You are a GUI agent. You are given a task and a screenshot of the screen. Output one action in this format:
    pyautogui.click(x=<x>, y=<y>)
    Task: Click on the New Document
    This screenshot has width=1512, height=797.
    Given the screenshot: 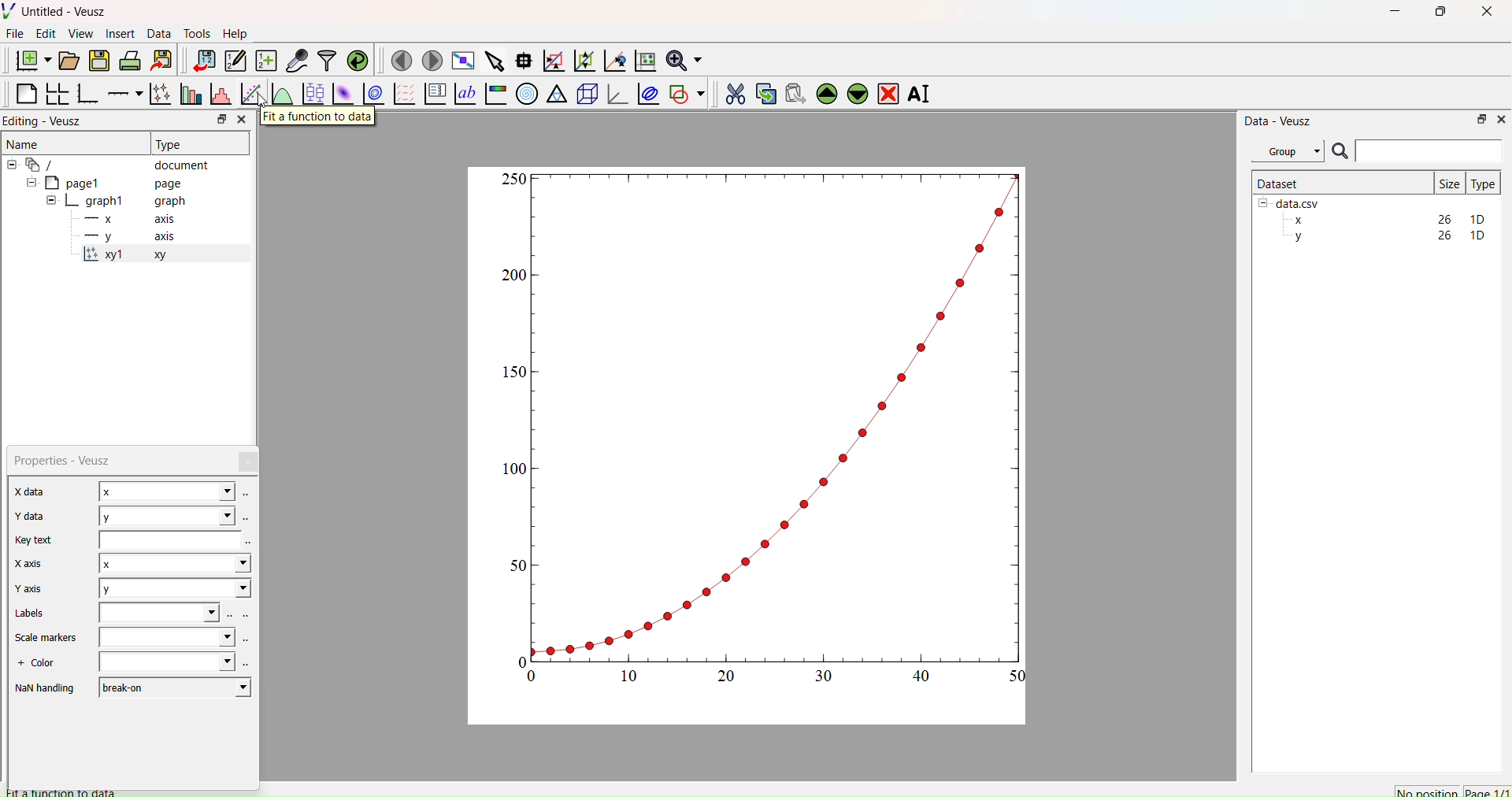 What is the action you would take?
    pyautogui.click(x=29, y=58)
    